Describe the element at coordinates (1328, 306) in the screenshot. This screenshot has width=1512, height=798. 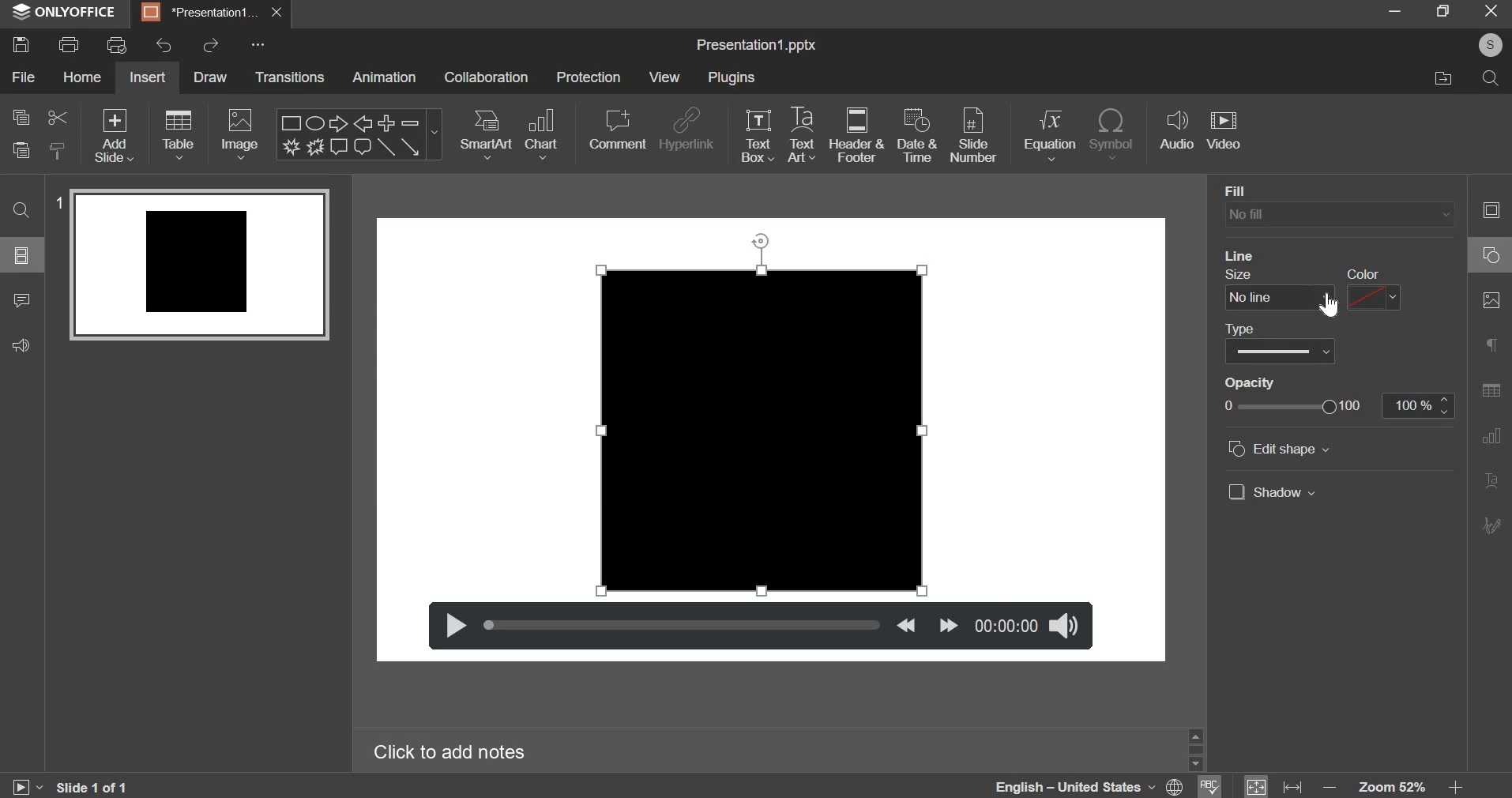
I see `Cursor` at that location.